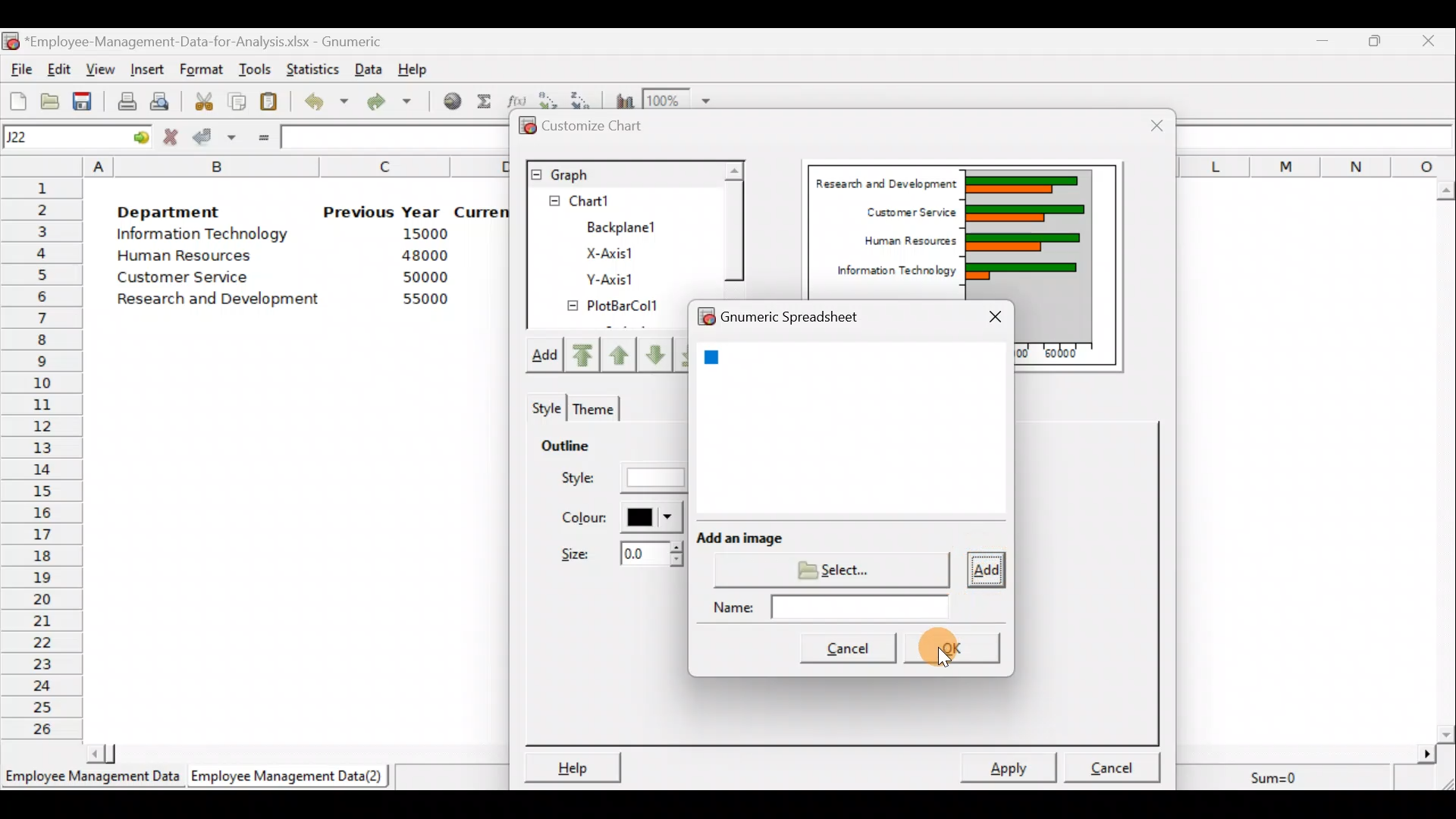 The image size is (1456, 819). I want to click on 48000, so click(424, 257).